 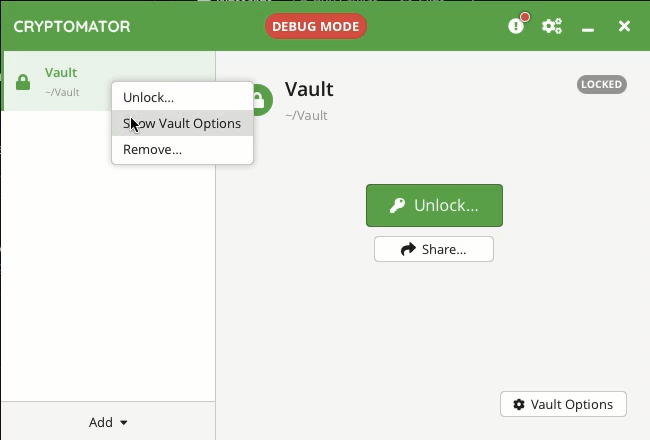 What do you see at coordinates (436, 249) in the screenshot?
I see `Share.` at bounding box center [436, 249].